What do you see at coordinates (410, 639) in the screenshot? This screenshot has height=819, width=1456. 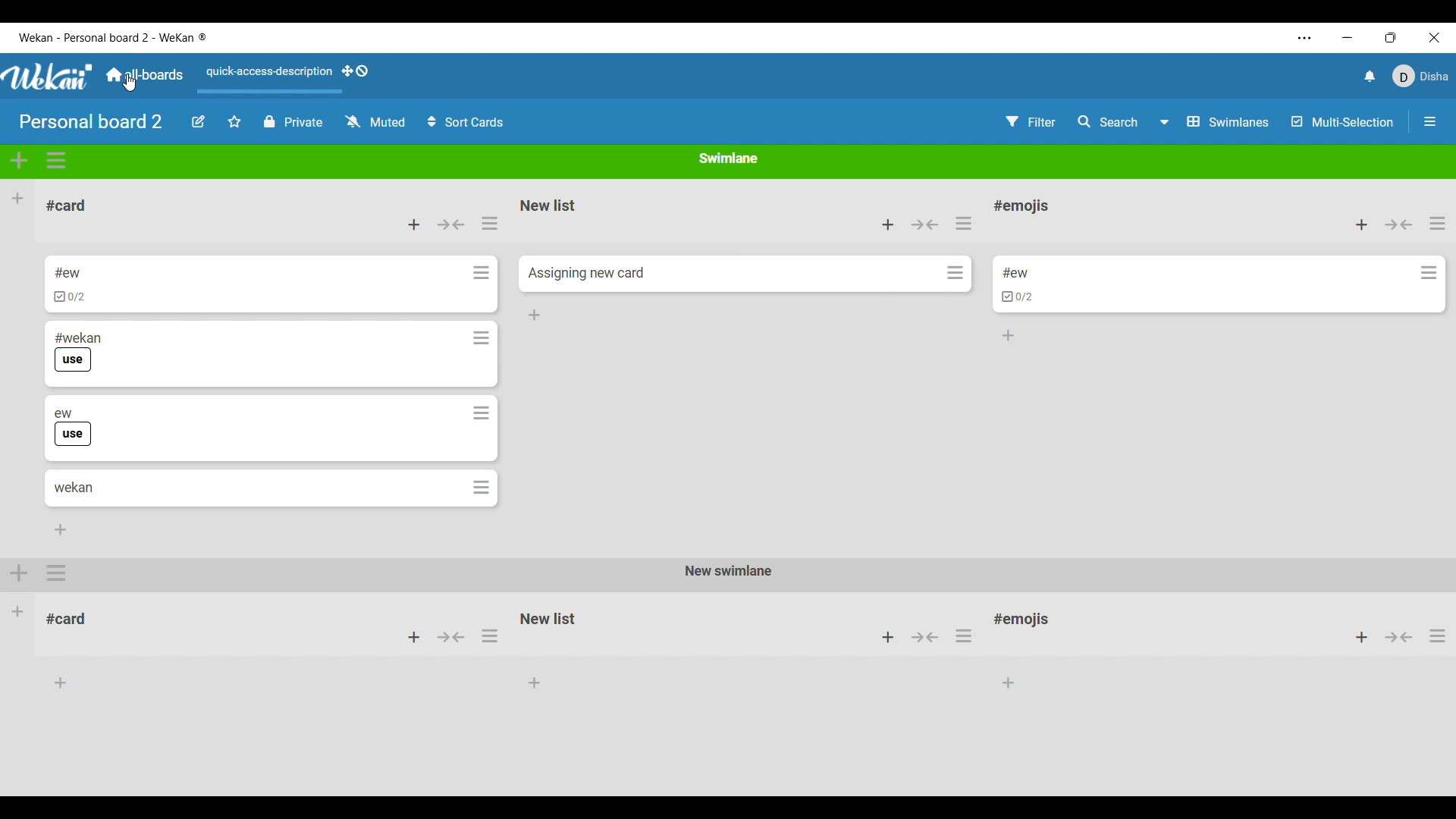 I see `add` at bounding box center [410, 639].